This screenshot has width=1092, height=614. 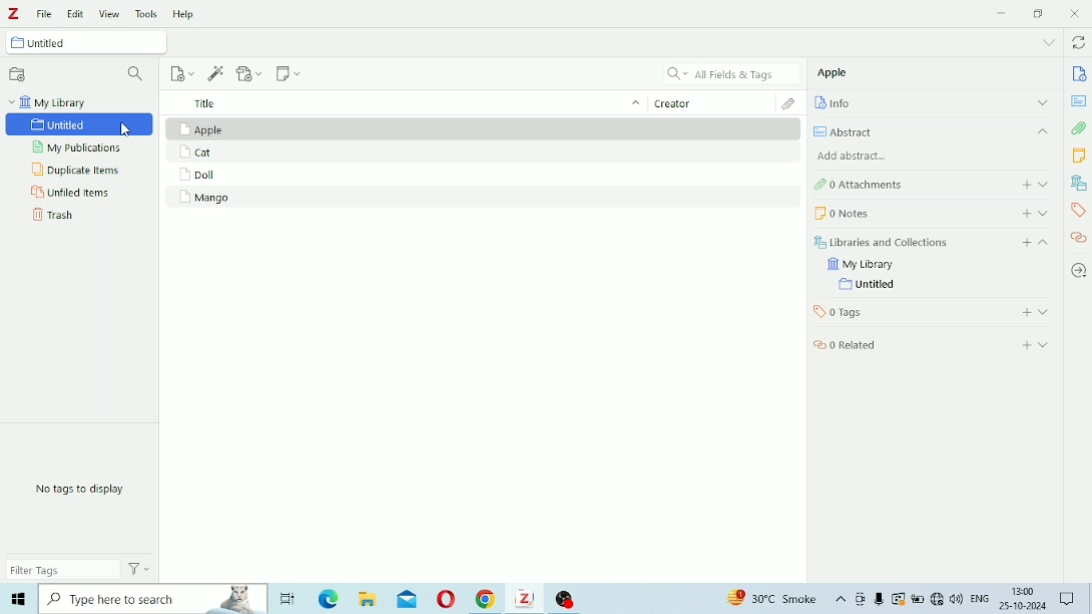 I want to click on Duplicate Items, so click(x=75, y=168).